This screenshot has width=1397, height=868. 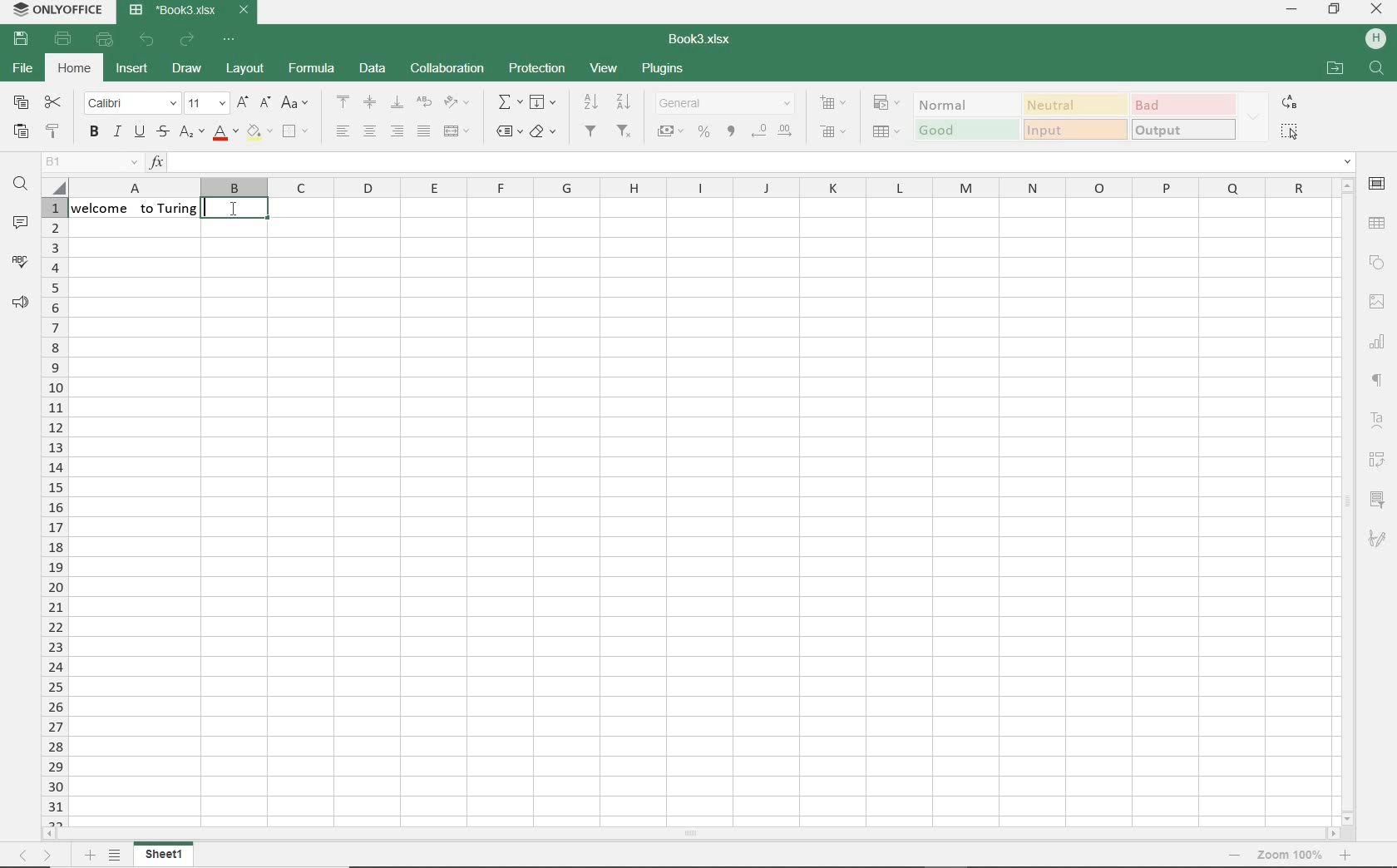 What do you see at coordinates (136, 215) in the screenshot?
I see `text` at bounding box center [136, 215].